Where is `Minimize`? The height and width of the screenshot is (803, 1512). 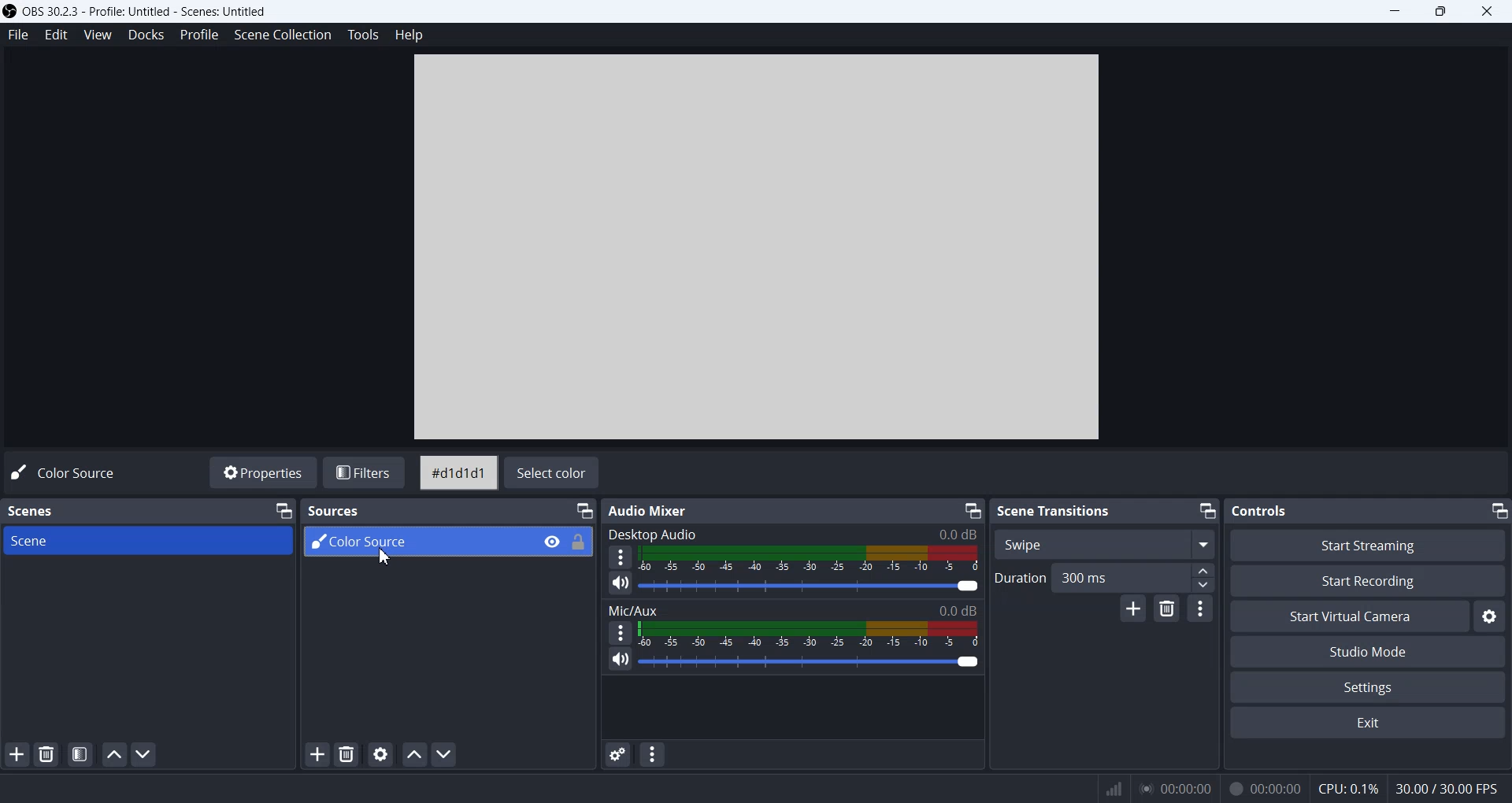
Minimize is located at coordinates (584, 508).